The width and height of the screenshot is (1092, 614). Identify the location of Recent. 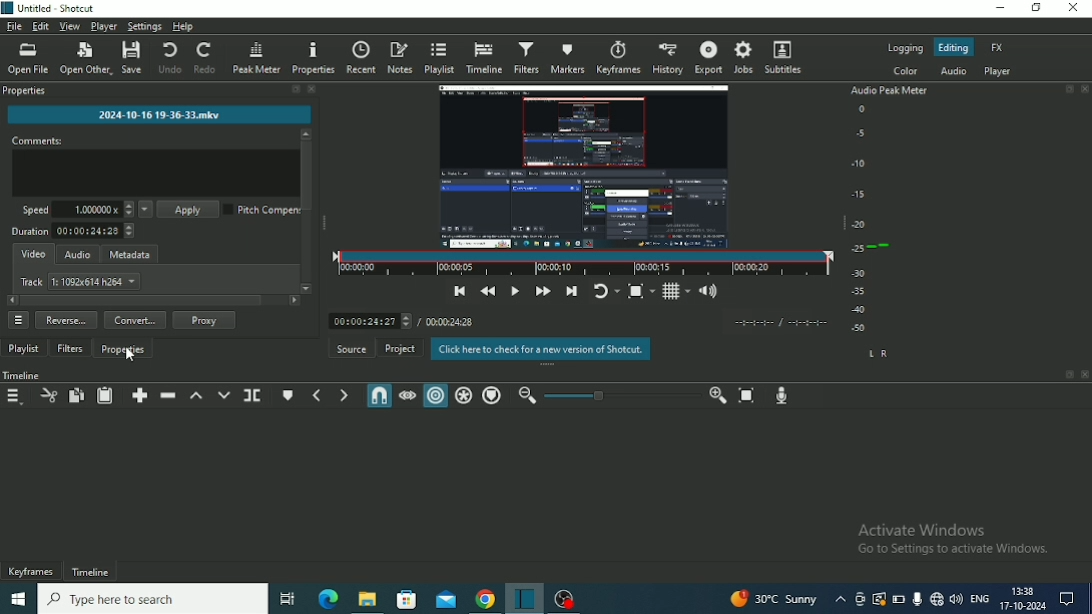
(359, 57).